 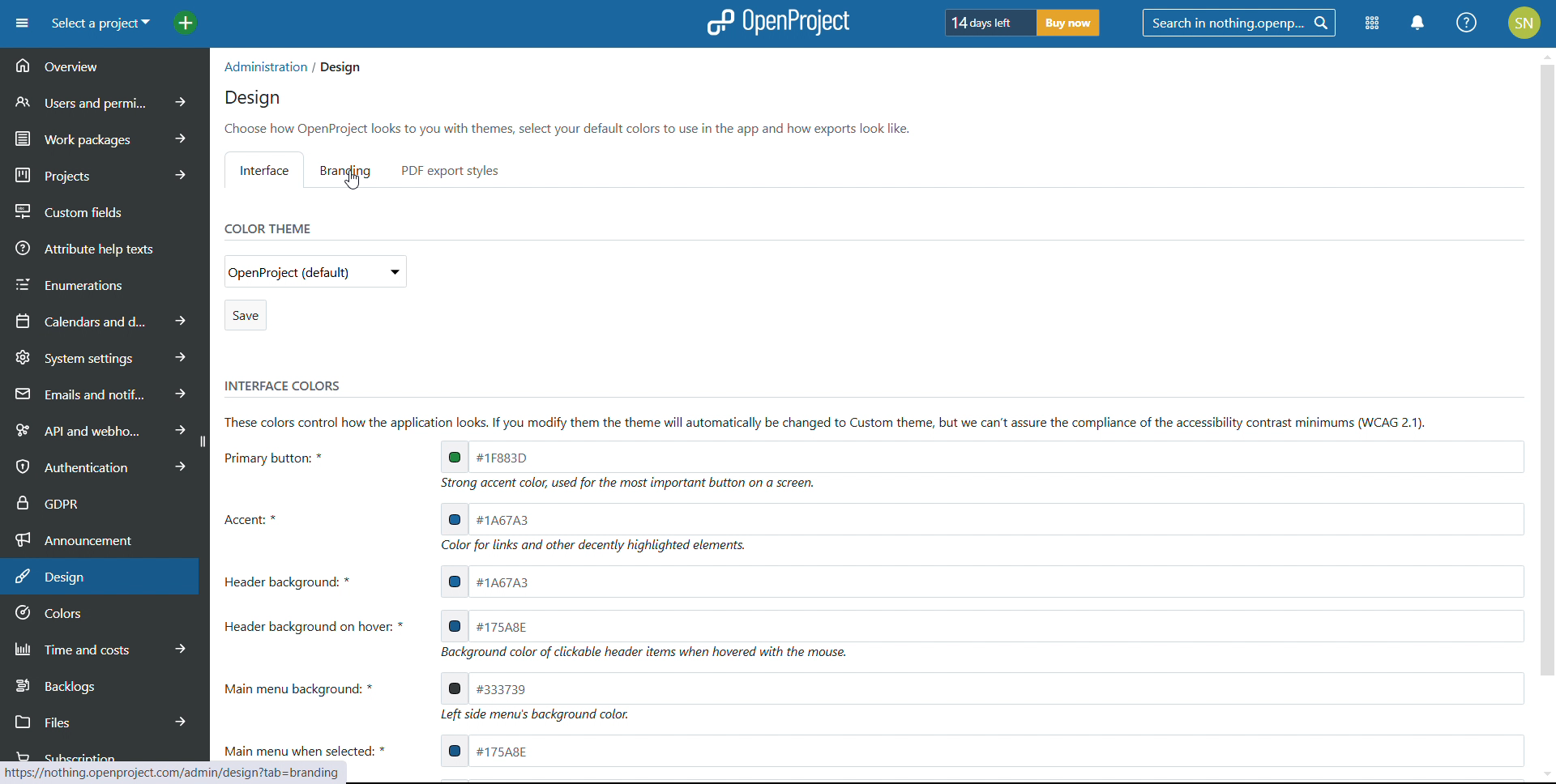 I want to click on enumerations, so click(x=105, y=282).